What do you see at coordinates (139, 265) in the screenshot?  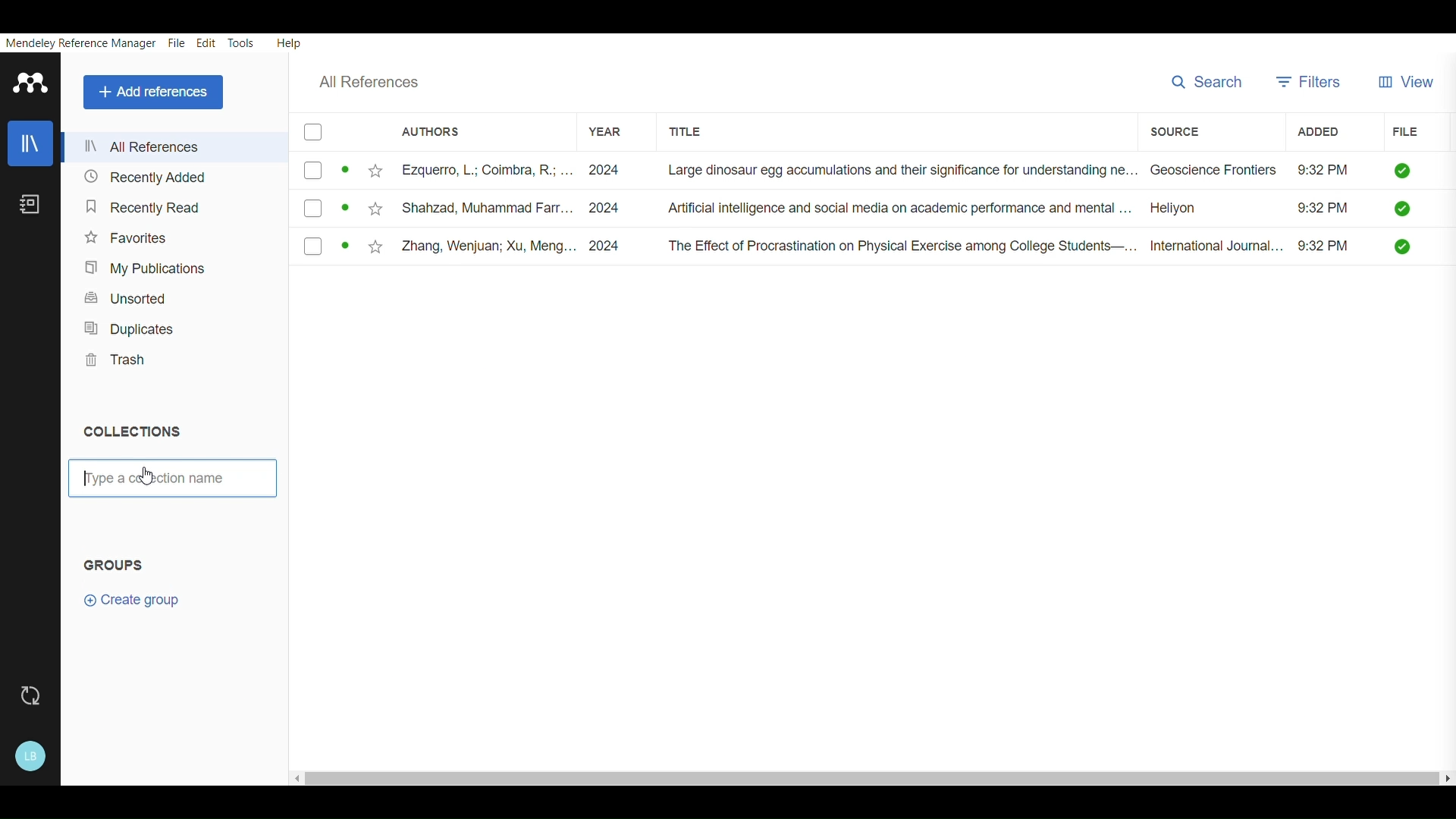 I see `My Publications` at bounding box center [139, 265].